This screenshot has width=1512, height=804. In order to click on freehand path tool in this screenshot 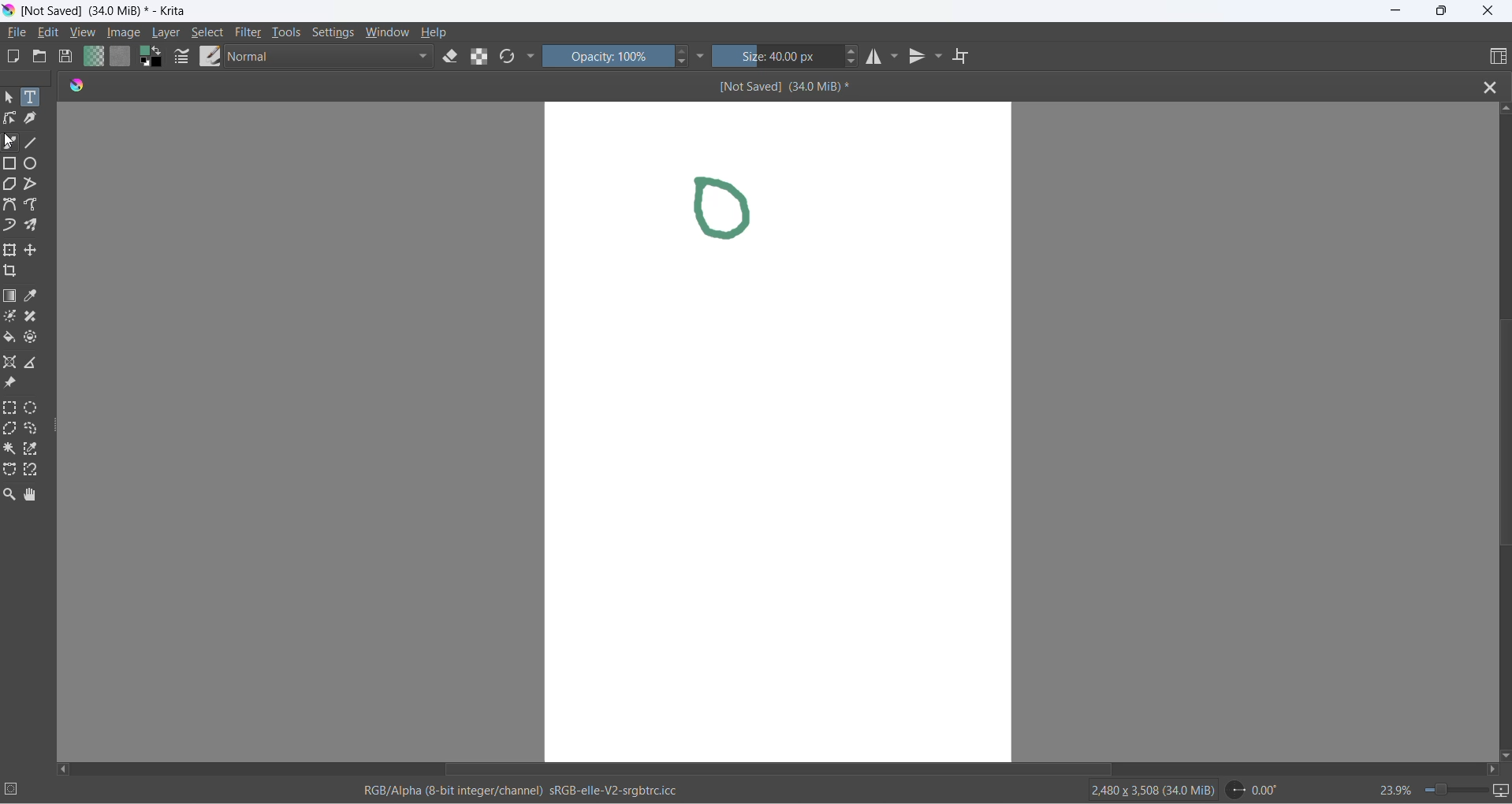, I will do `click(37, 205)`.